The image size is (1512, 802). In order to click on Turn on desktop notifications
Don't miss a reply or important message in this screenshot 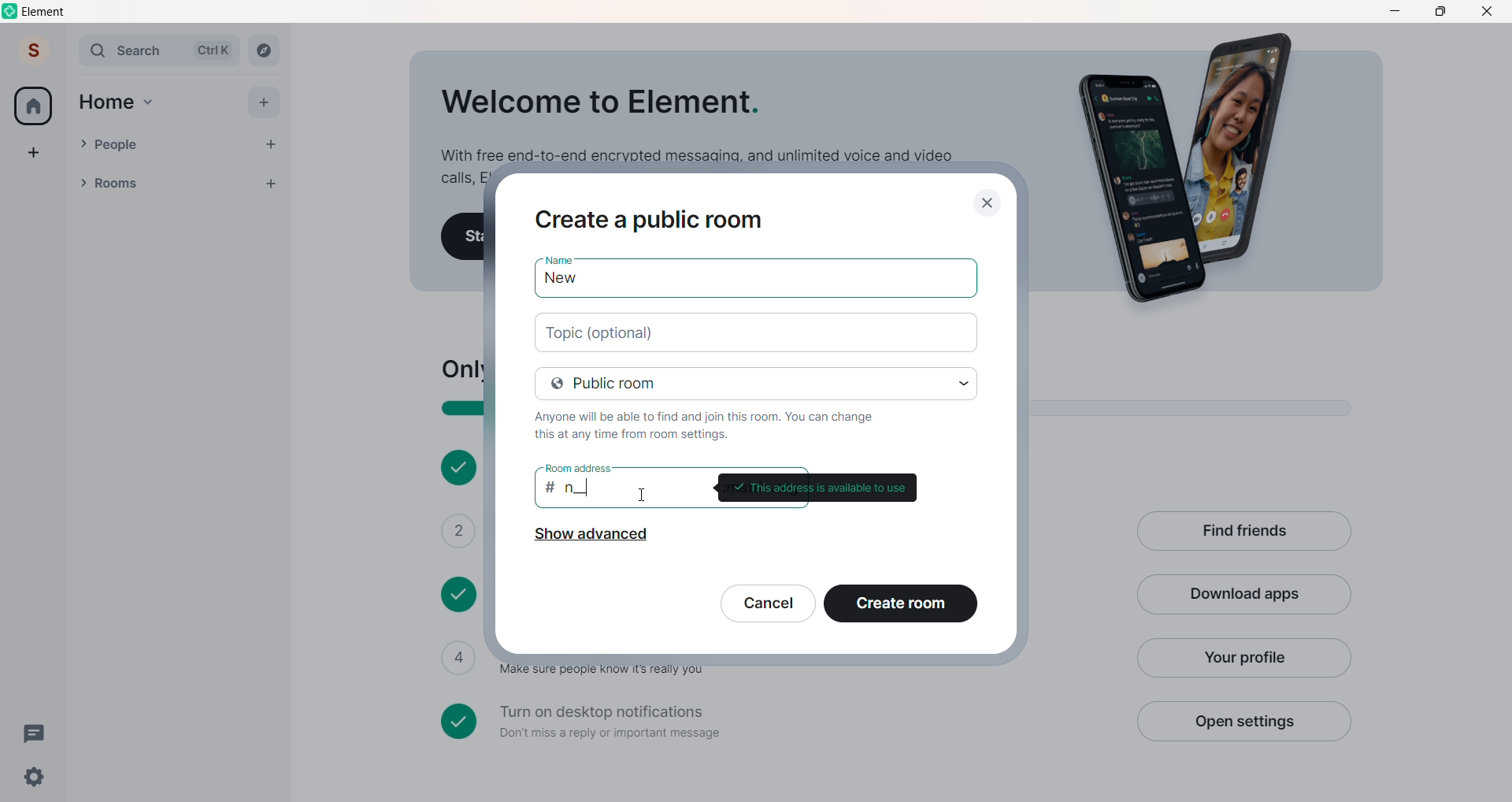, I will do `click(778, 722)`.